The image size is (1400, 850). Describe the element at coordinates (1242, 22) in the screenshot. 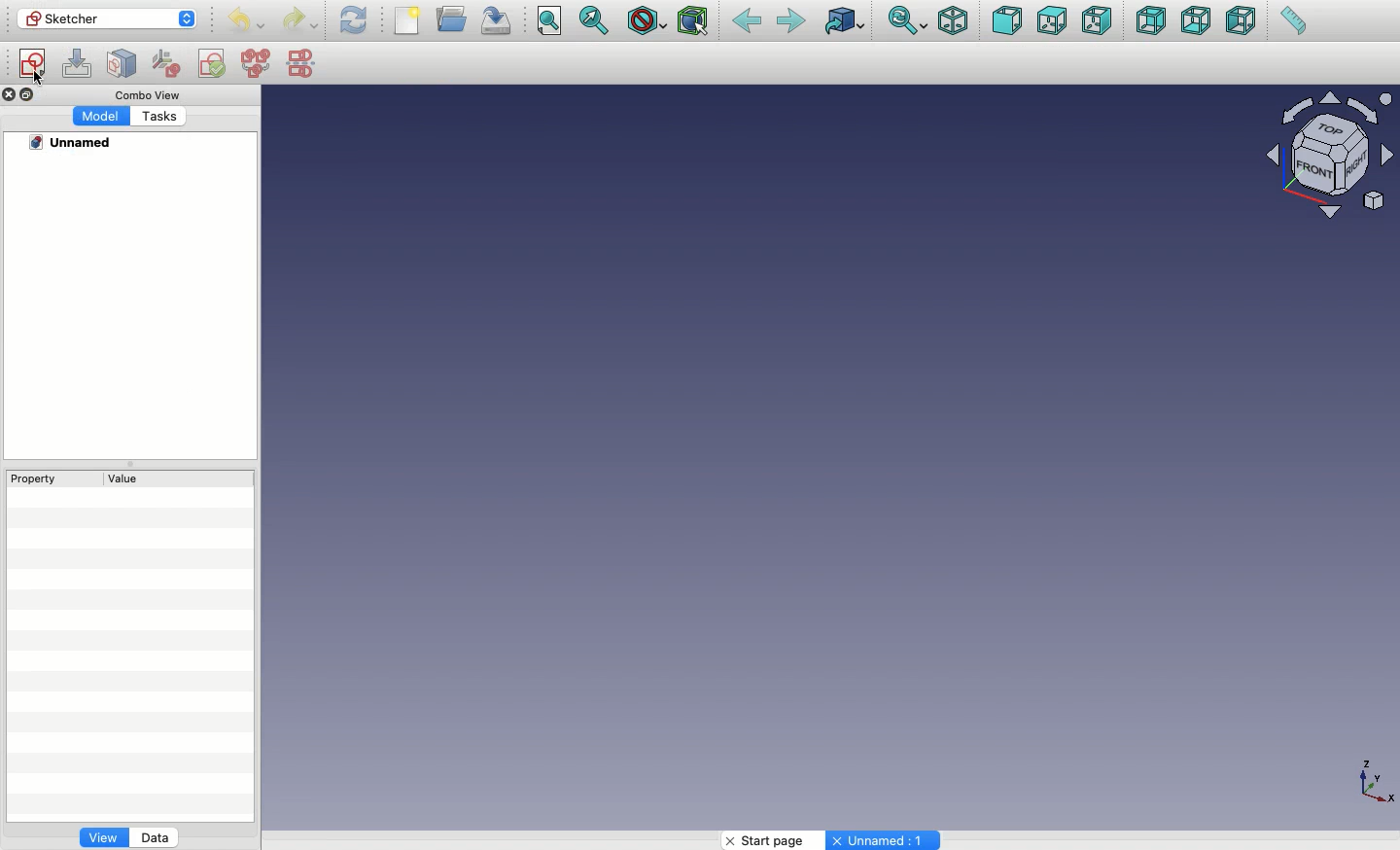

I see `Left` at that location.